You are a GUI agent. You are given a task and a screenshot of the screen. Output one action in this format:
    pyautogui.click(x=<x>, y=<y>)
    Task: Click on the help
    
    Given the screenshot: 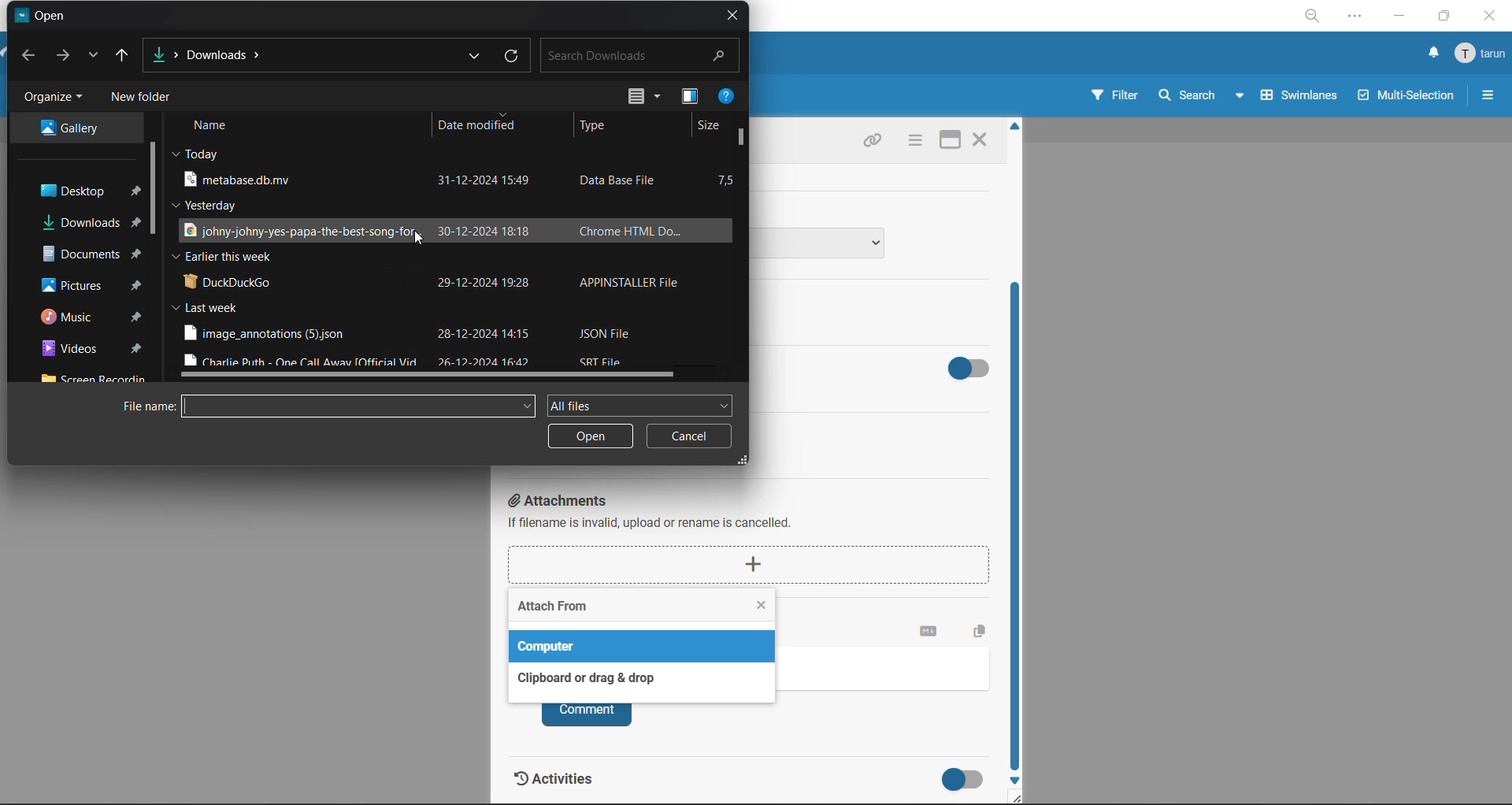 What is the action you would take?
    pyautogui.click(x=727, y=98)
    